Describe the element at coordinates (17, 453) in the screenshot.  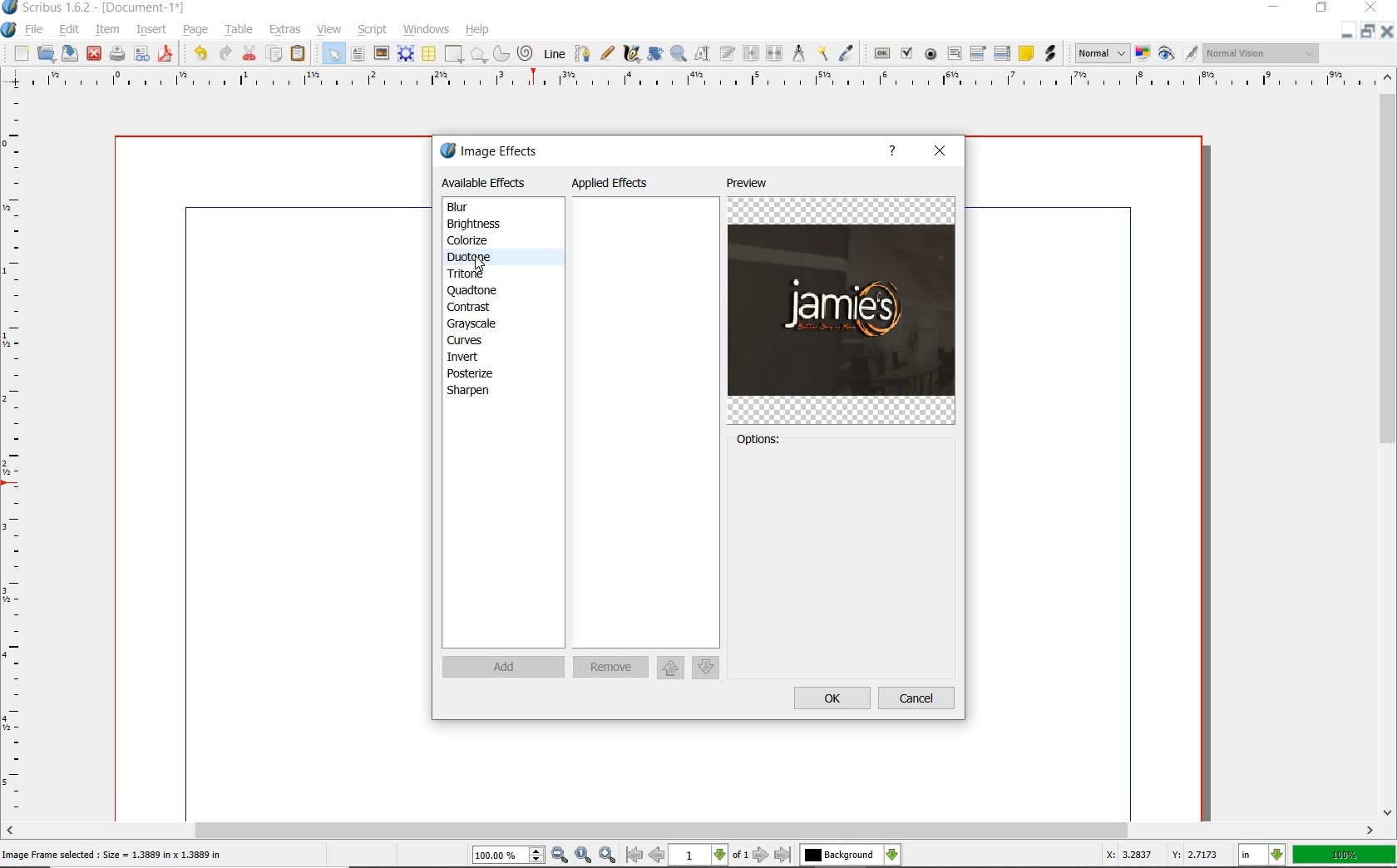
I see `ruler` at that location.